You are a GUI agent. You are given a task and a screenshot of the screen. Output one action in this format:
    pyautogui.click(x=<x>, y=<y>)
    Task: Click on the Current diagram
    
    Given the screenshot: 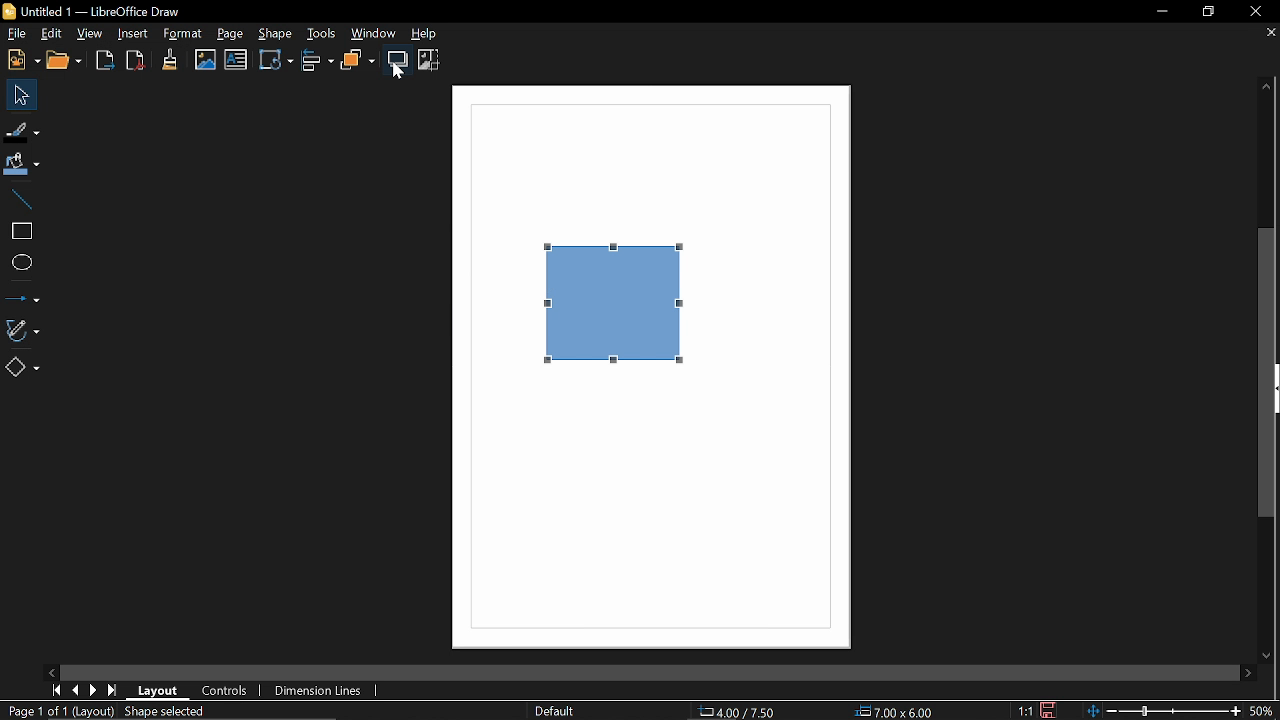 What is the action you would take?
    pyautogui.click(x=614, y=321)
    